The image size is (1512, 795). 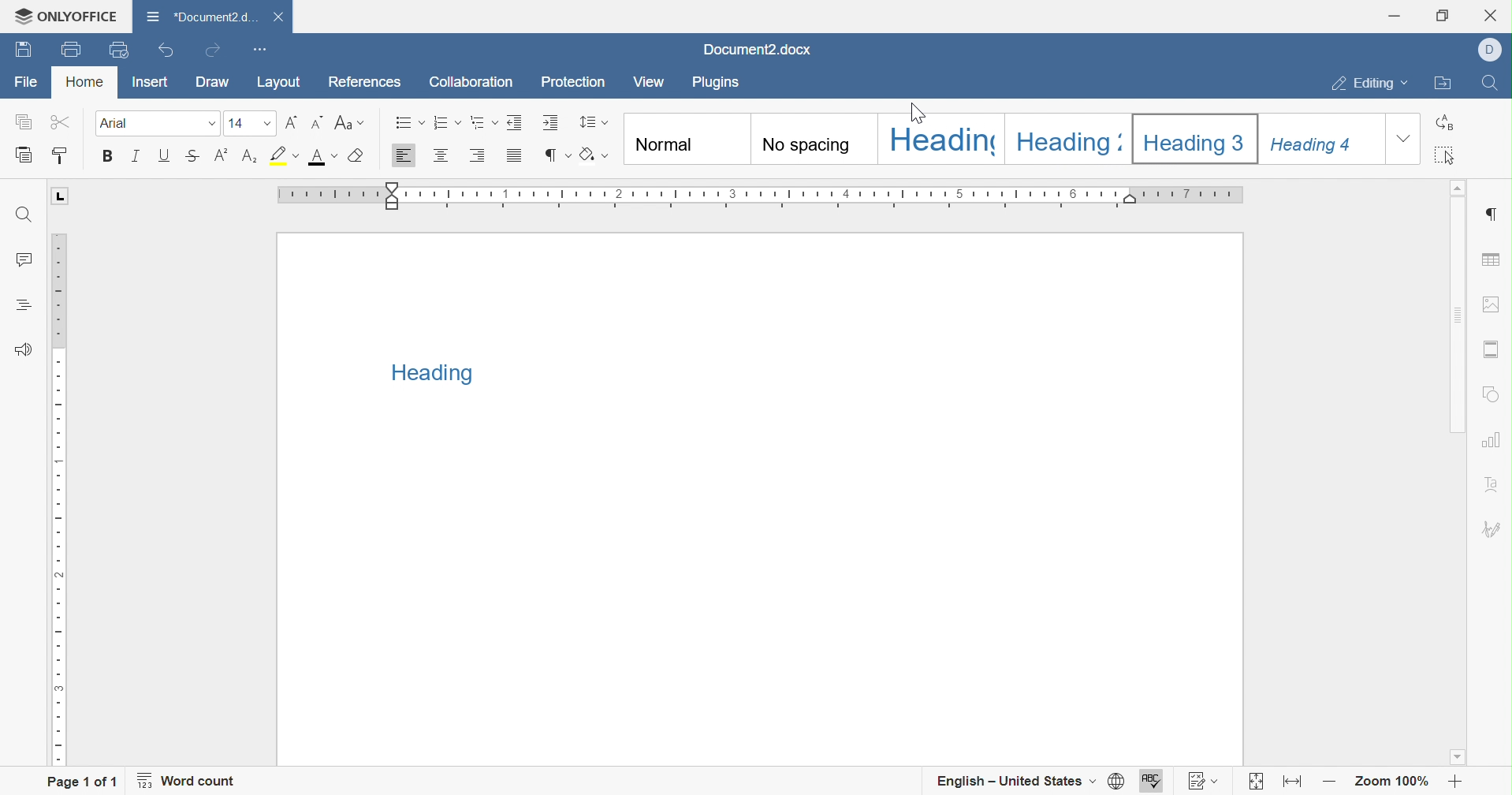 I want to click on Plugins, so click(x=718, y=81).